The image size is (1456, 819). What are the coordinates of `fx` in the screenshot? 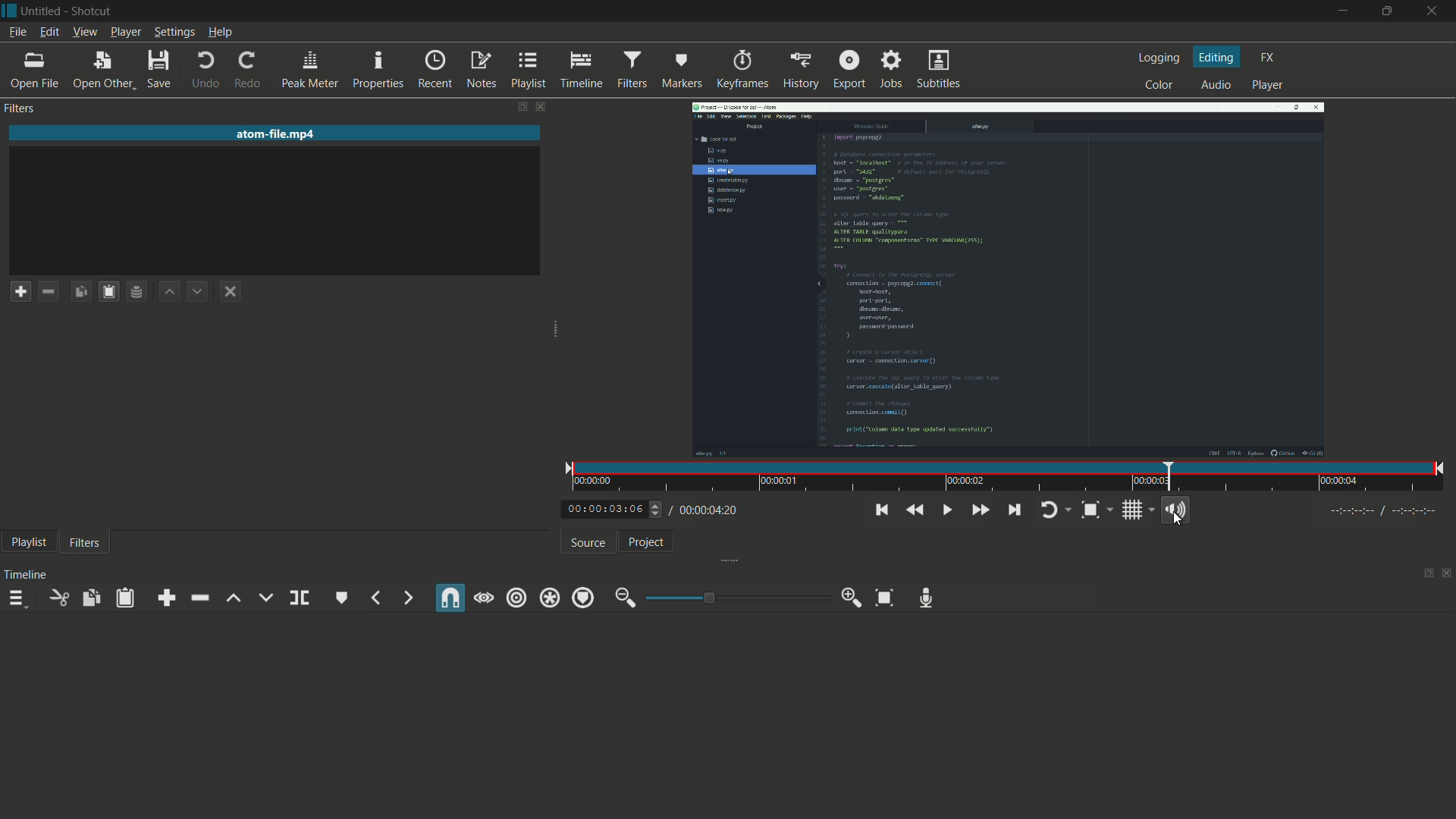 It's located at (1268, 55).